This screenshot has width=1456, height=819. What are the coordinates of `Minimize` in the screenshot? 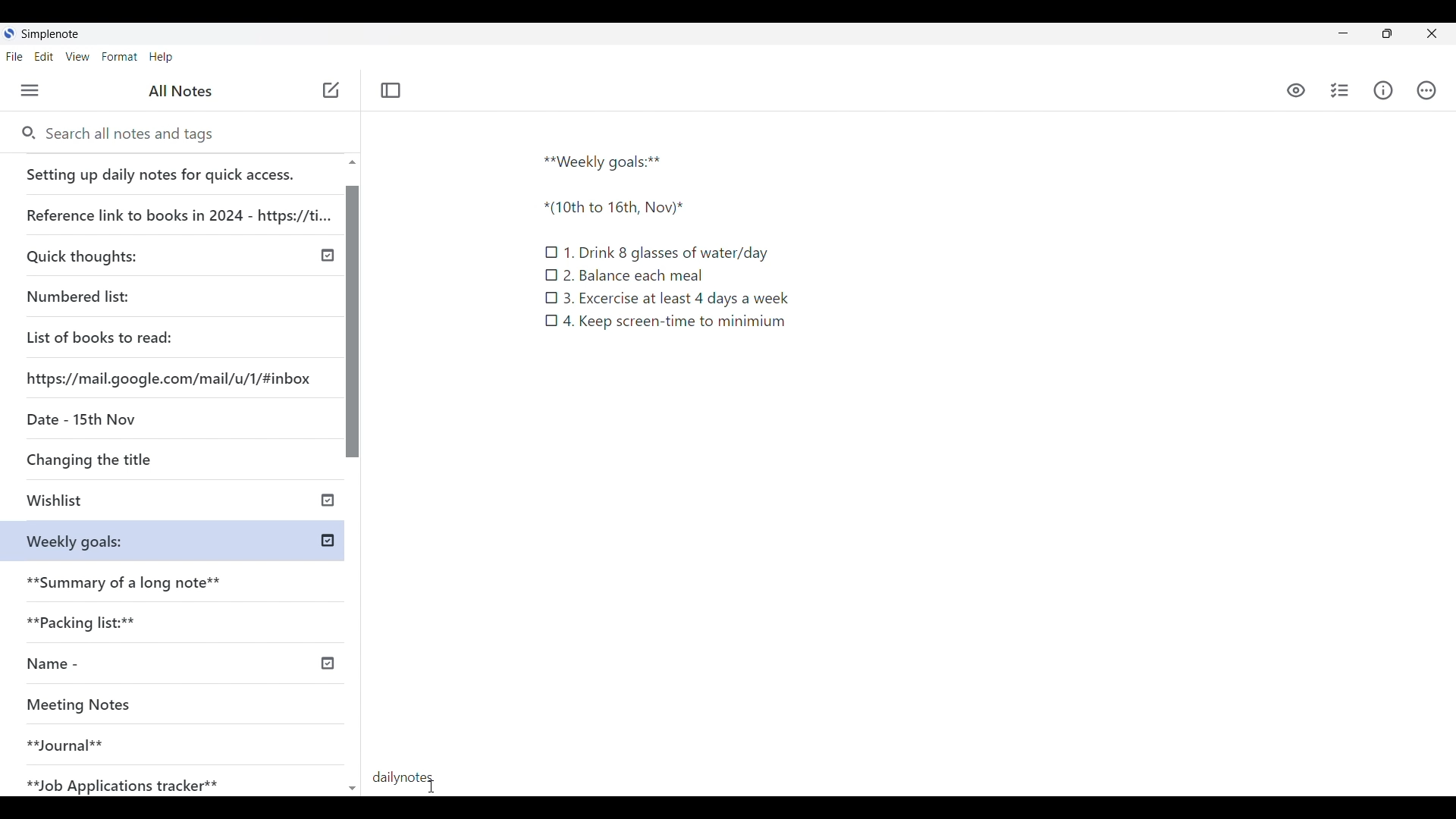 It's located at (1343, 33).